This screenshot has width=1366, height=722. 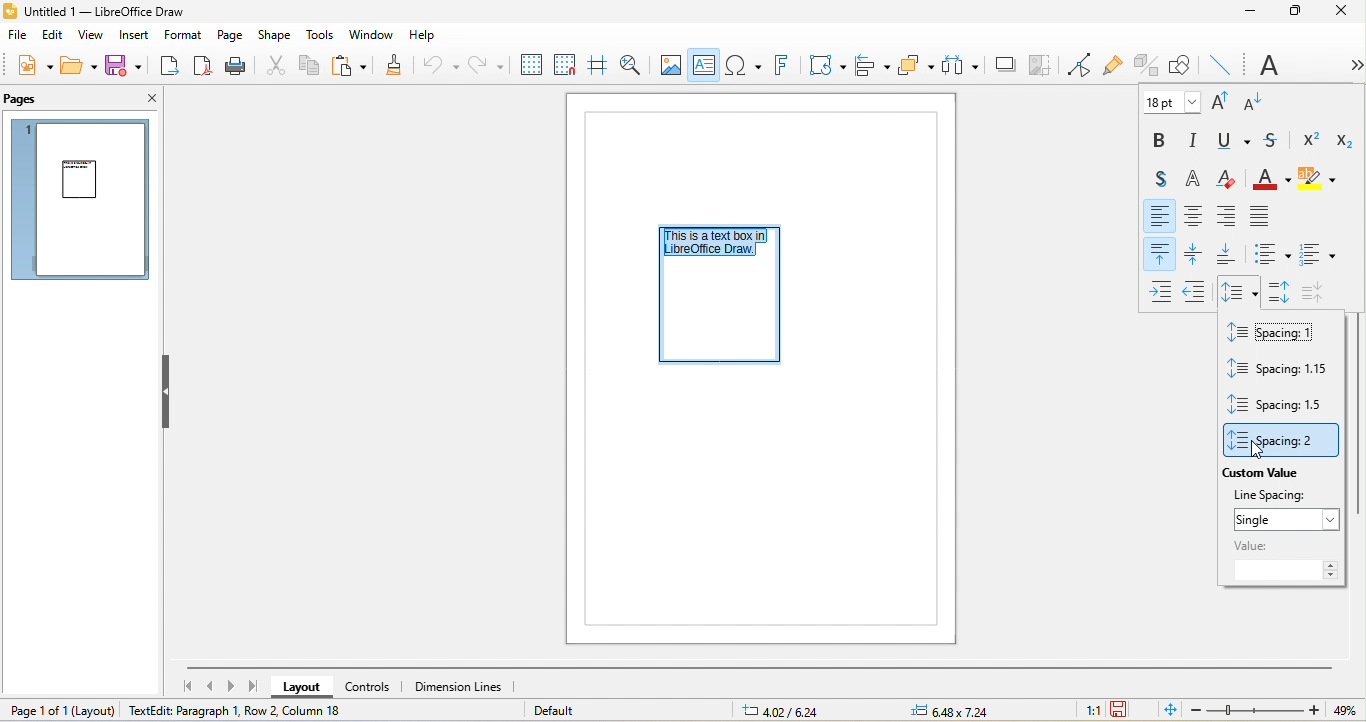 What do you see at coordinates (1281, 408) in the screenshot?
I see `spacing 1.5` at bounding box center [1281, 408].